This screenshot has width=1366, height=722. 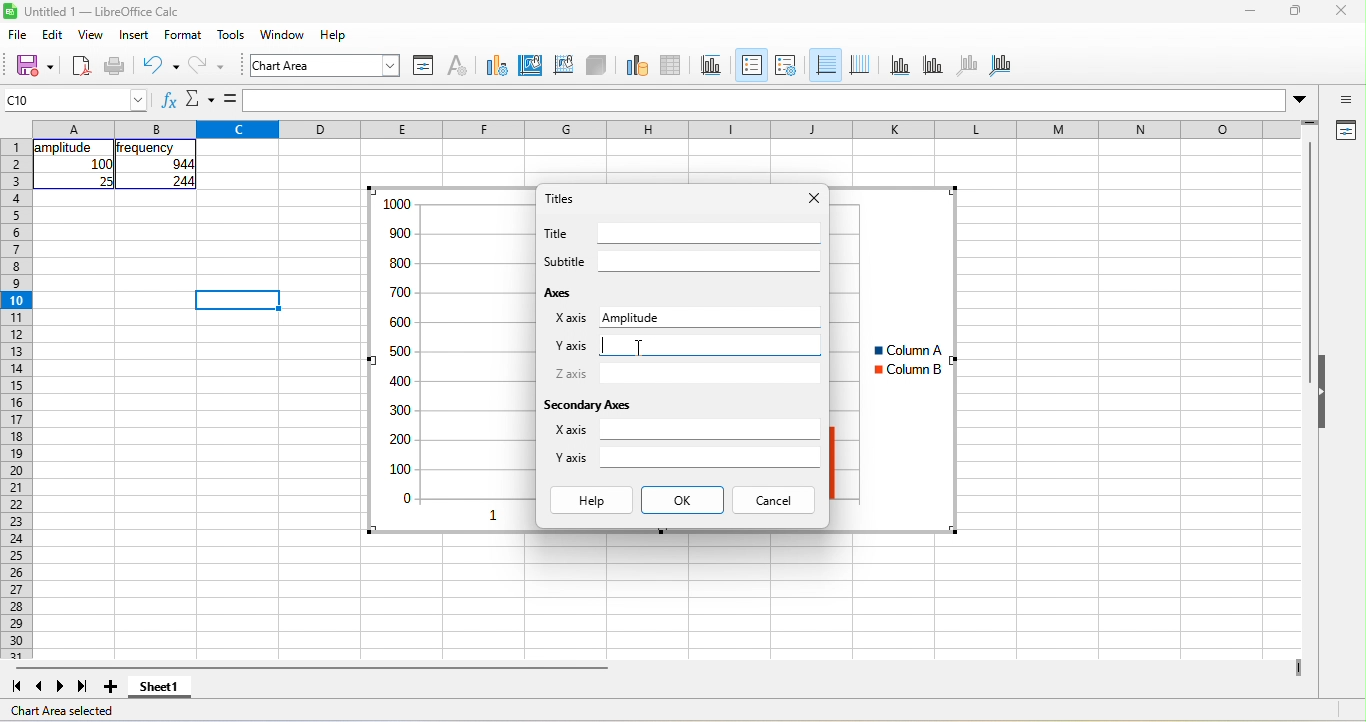 What do you see at coordinates (894, 359) in the screenshot?
I see `Column chart` at bounding box center [894, 359].